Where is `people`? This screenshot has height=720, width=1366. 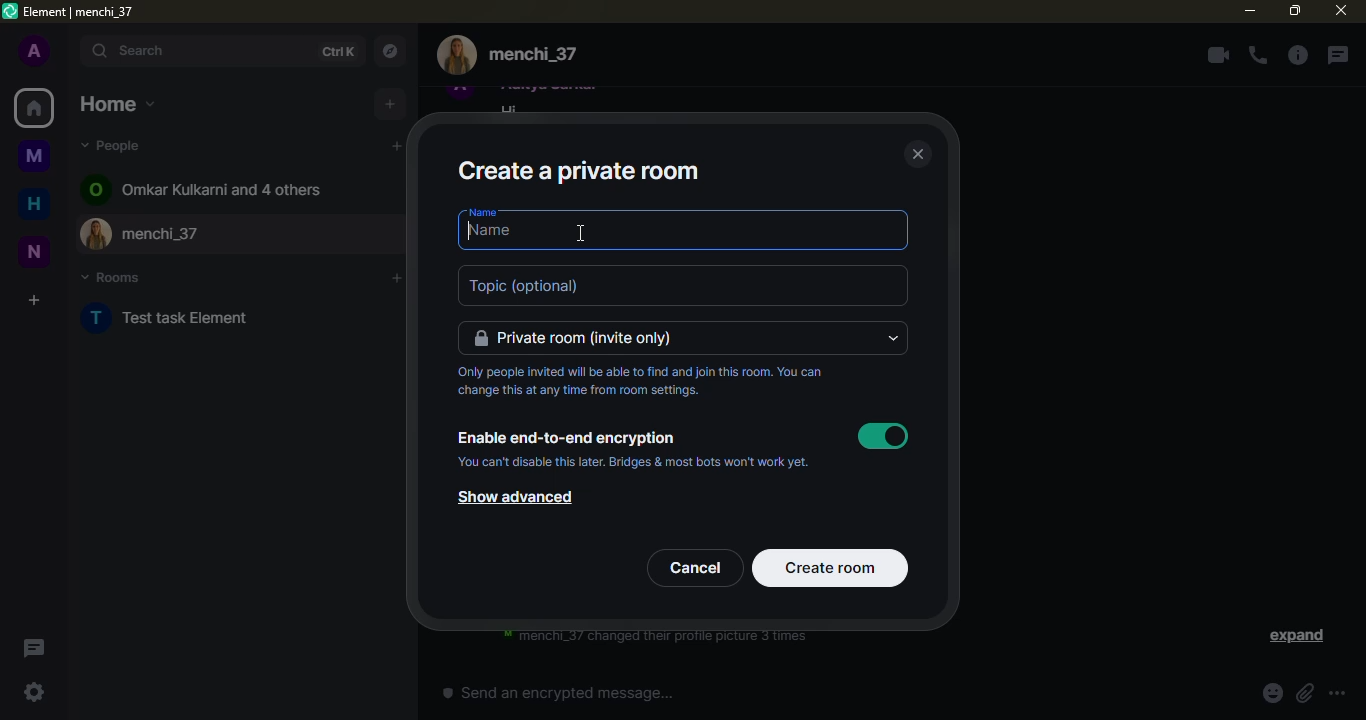
people is located at coordinates (114, 145).